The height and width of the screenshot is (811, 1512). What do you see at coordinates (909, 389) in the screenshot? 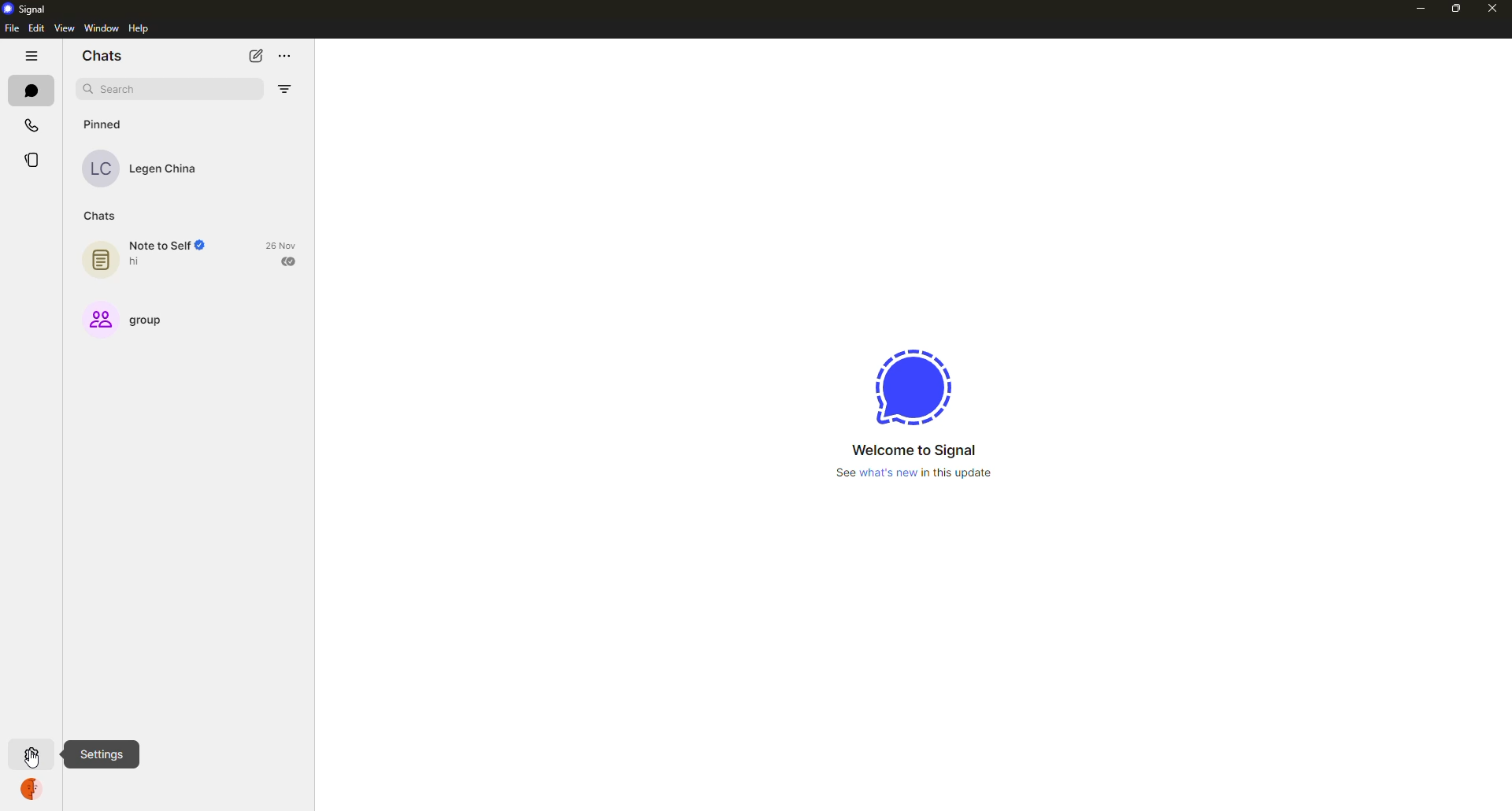
I see `signal` at bounding box center [909, 389].